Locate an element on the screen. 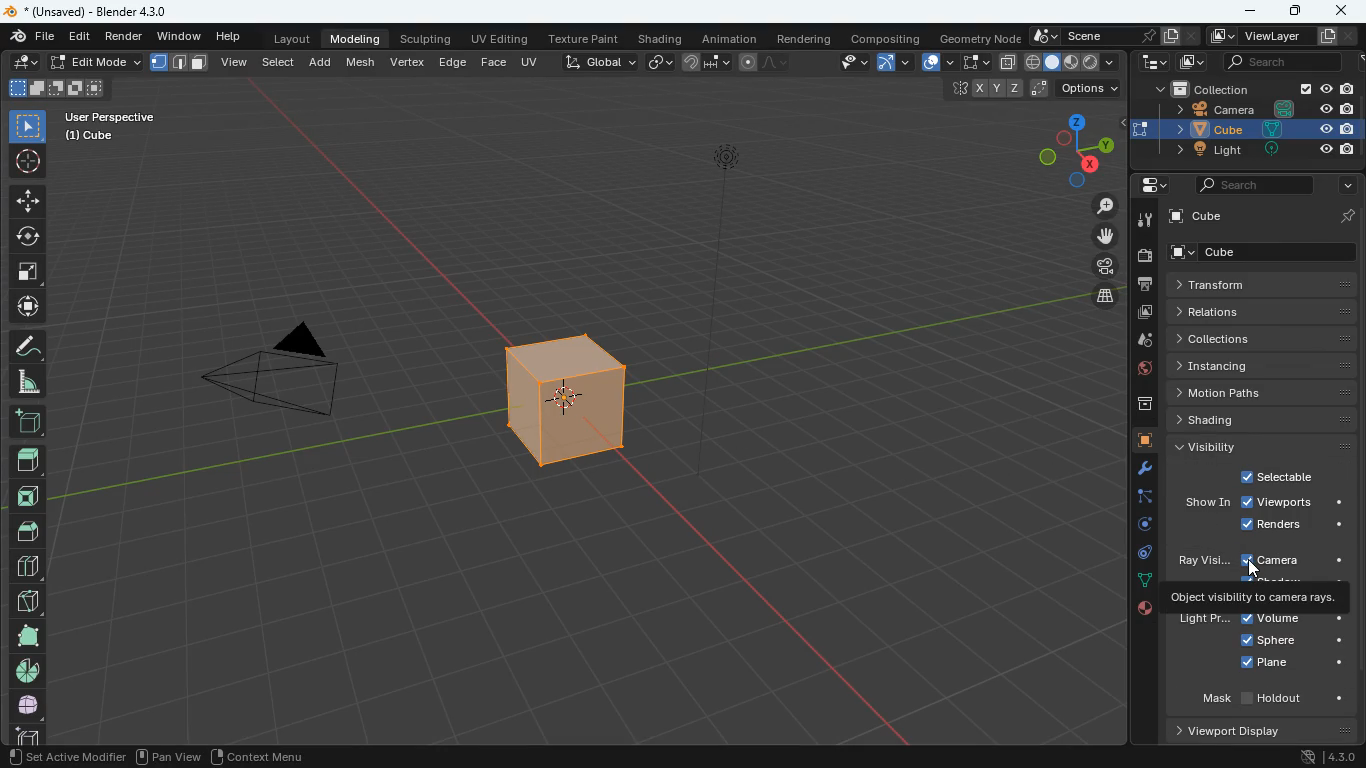 This screenshot has height=768, width=1366. User Perspective is located at coordinates (109, 116).